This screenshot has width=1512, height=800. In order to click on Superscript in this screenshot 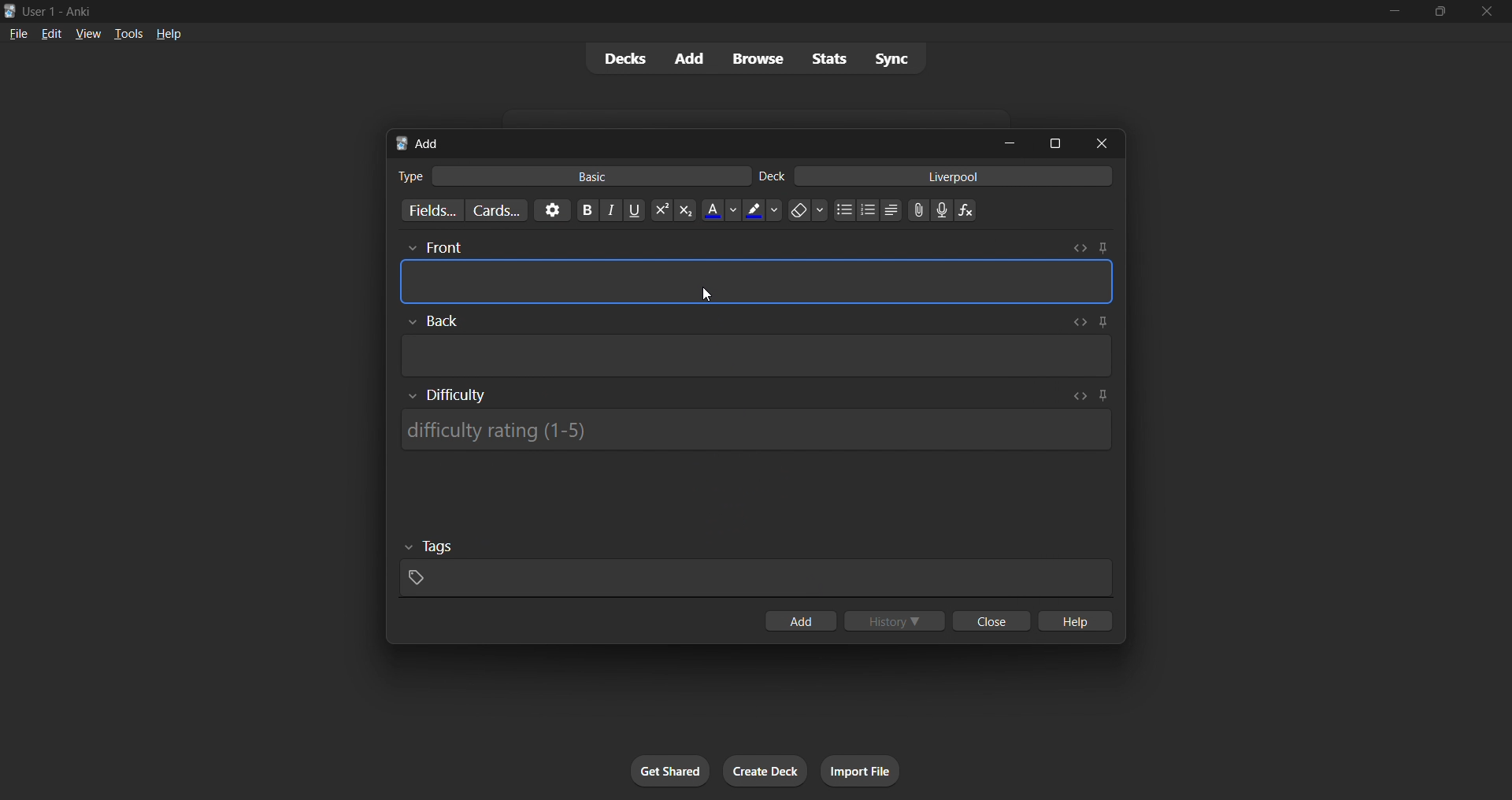, I will do `click(661, 210)`.